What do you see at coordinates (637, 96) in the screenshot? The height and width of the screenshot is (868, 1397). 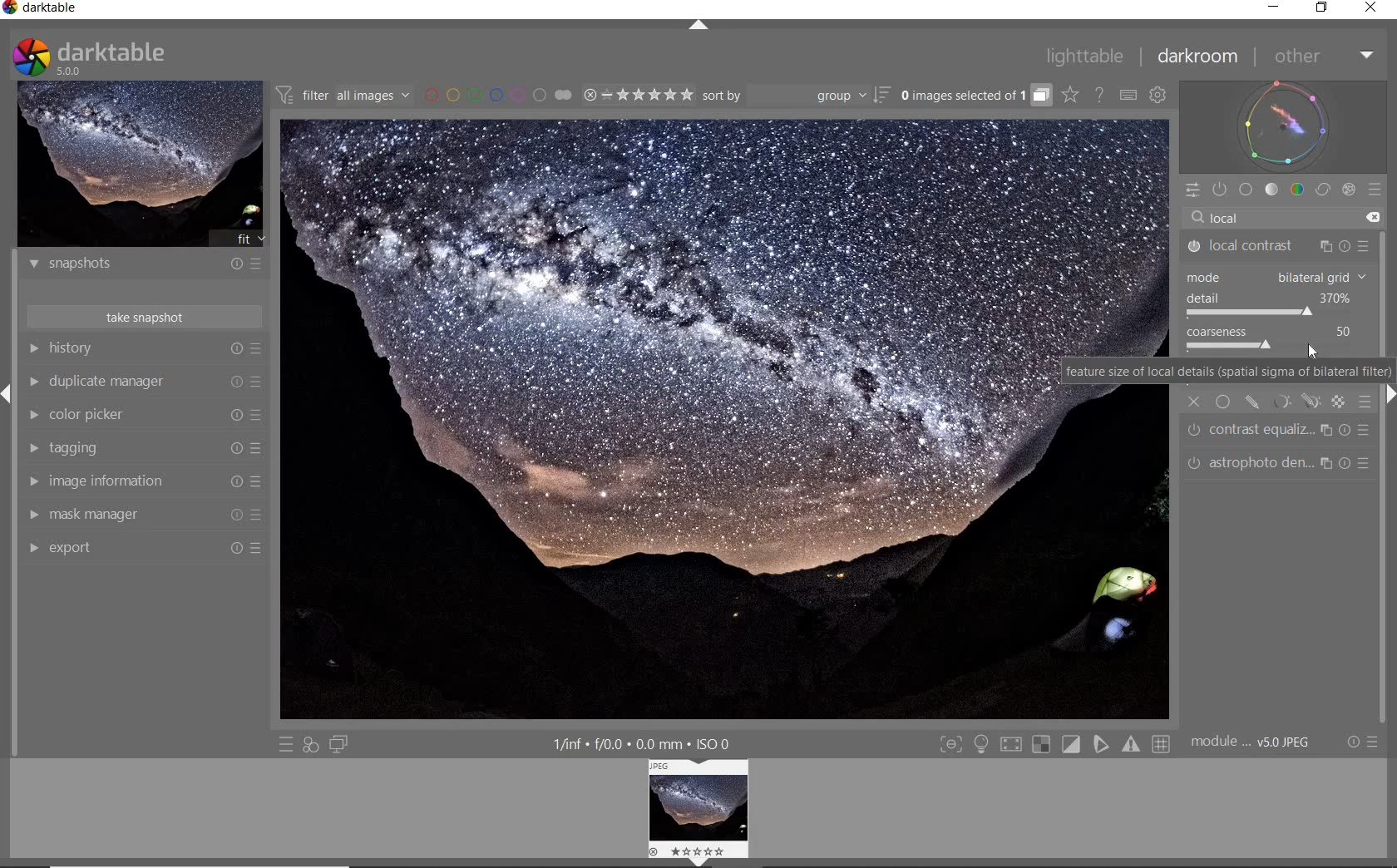 I see `RANGE RATING OF SELECTED IMAGES` at bounding box center [637, 96].